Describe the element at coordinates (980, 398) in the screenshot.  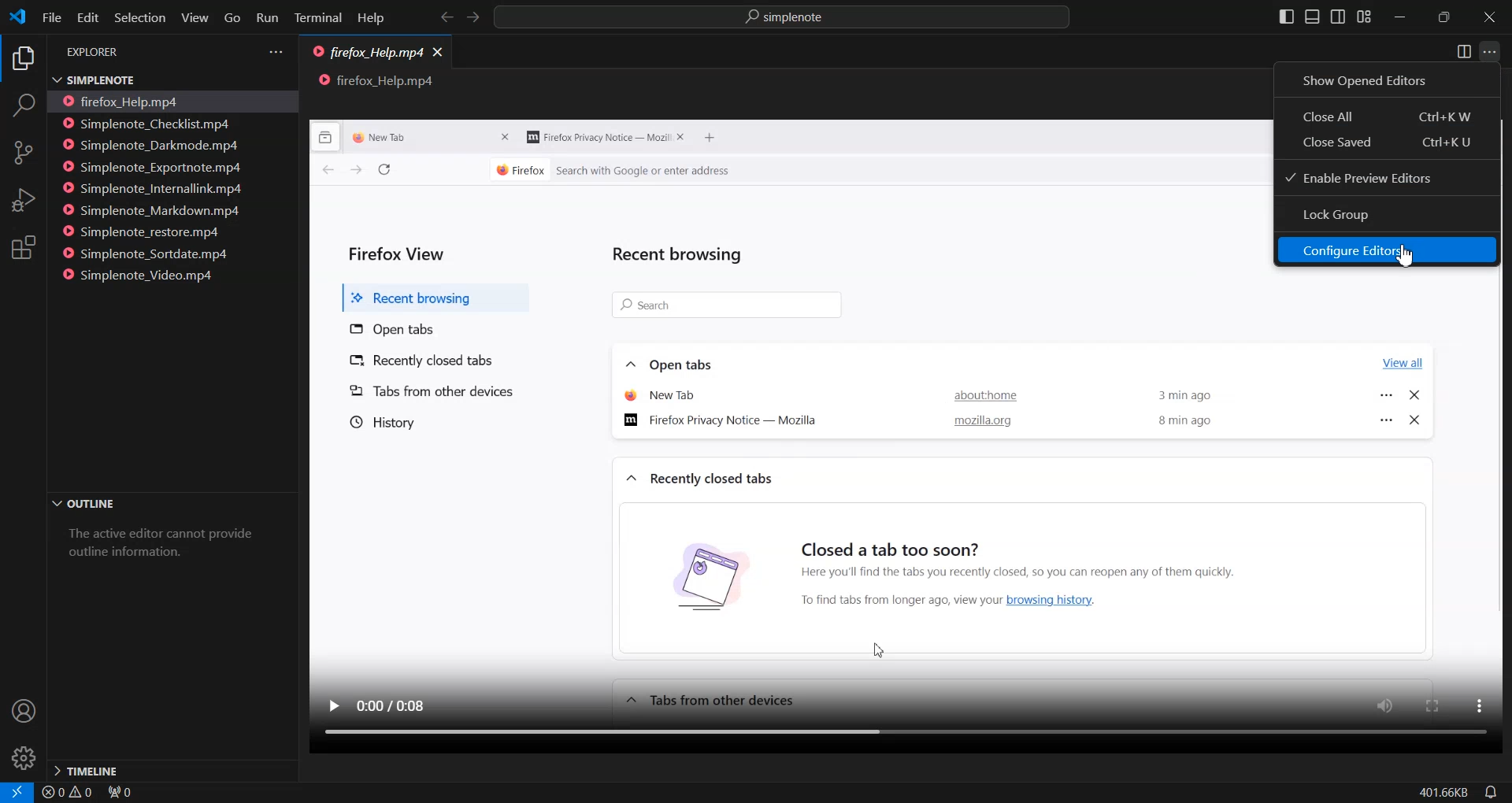
I see `about:home` at that location.